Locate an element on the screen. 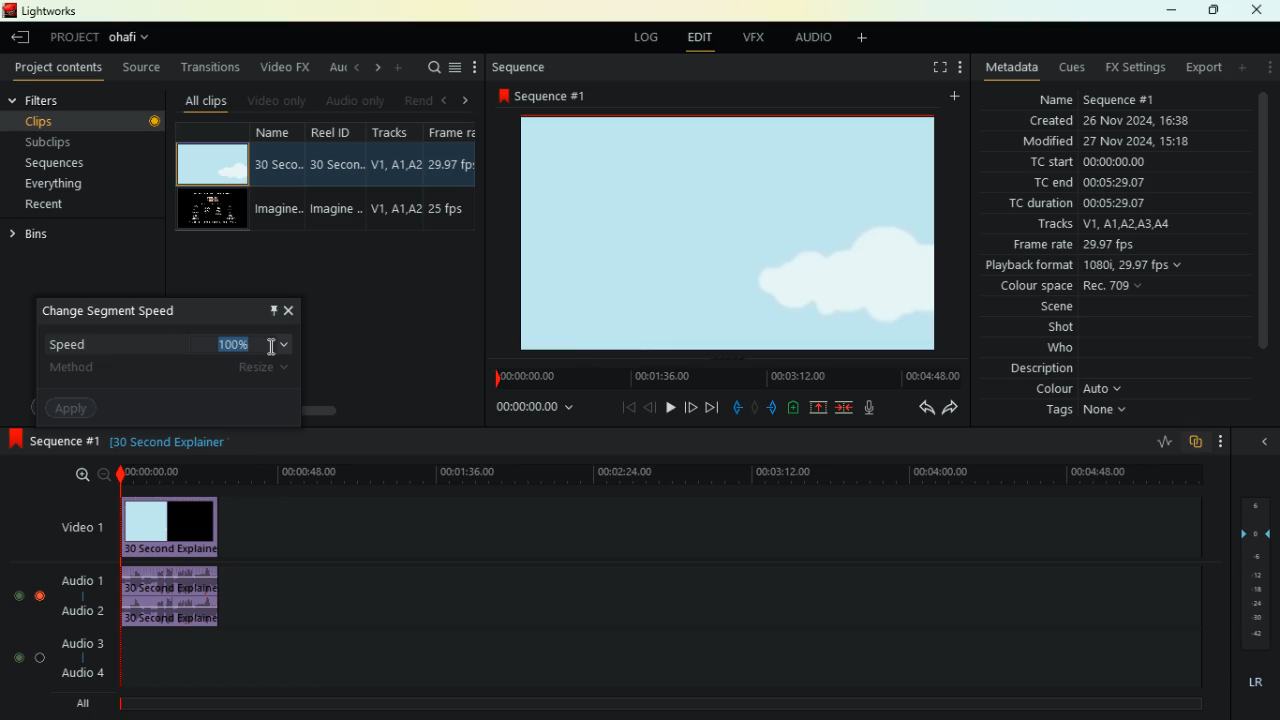  toggle buttons is located at coordinates (30, 628).